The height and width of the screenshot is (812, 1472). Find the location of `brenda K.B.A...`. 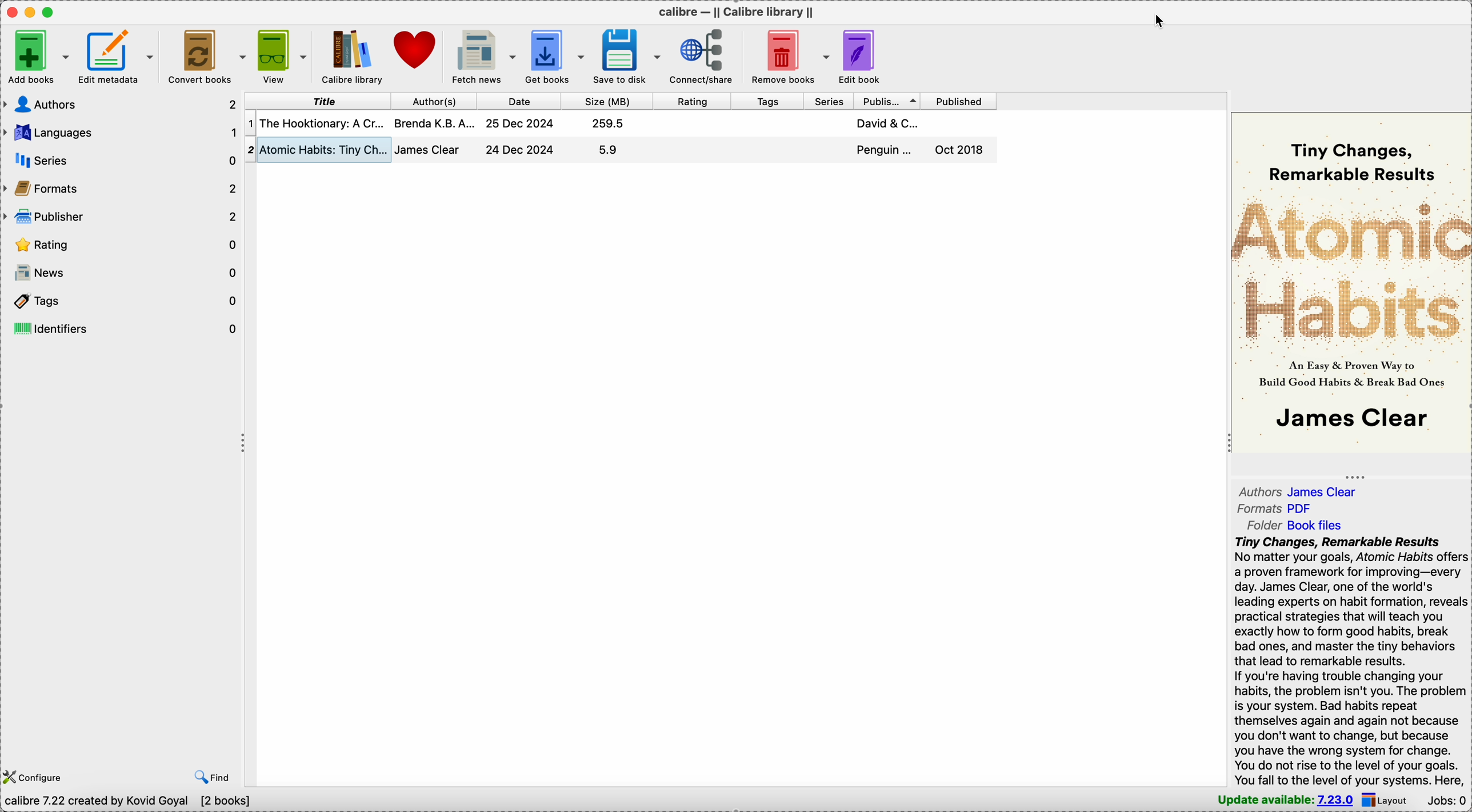

brenda K.B.A... is located at coordinates (432, 123).